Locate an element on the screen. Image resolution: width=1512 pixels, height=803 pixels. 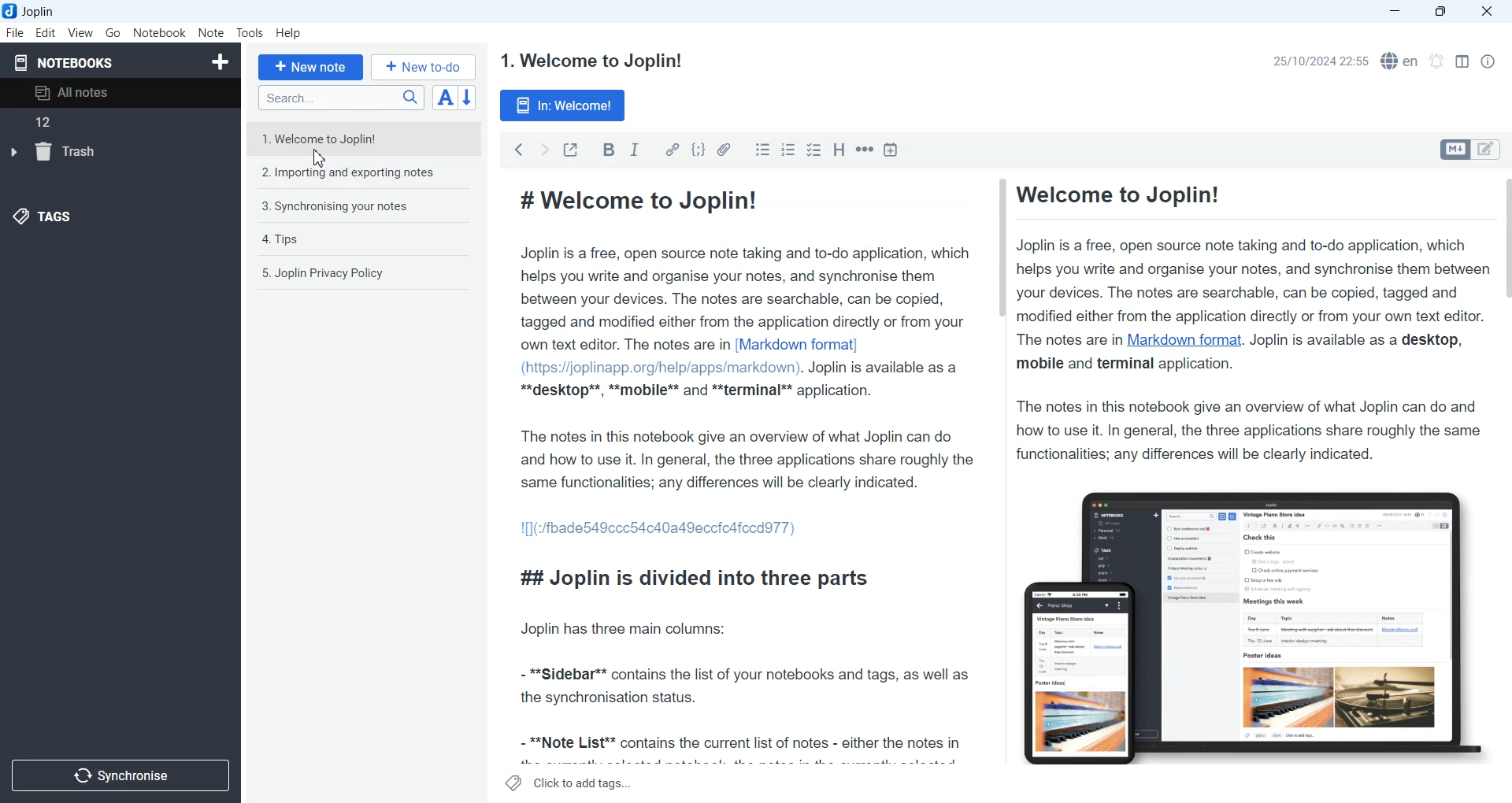
Close is located at coordinates (1485, 12).